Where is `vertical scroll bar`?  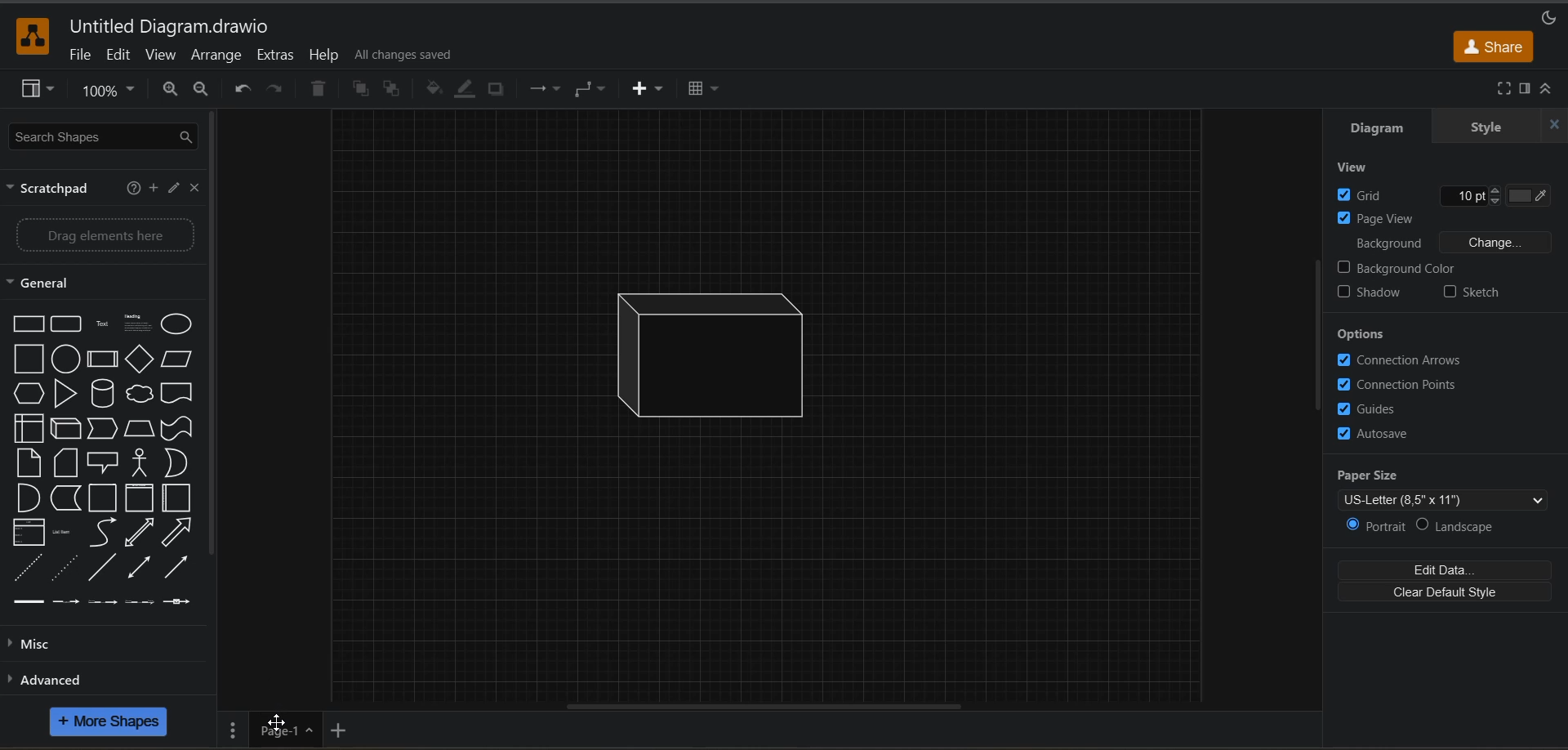 vertical scroll bar is located at coordinates (1319, 335).